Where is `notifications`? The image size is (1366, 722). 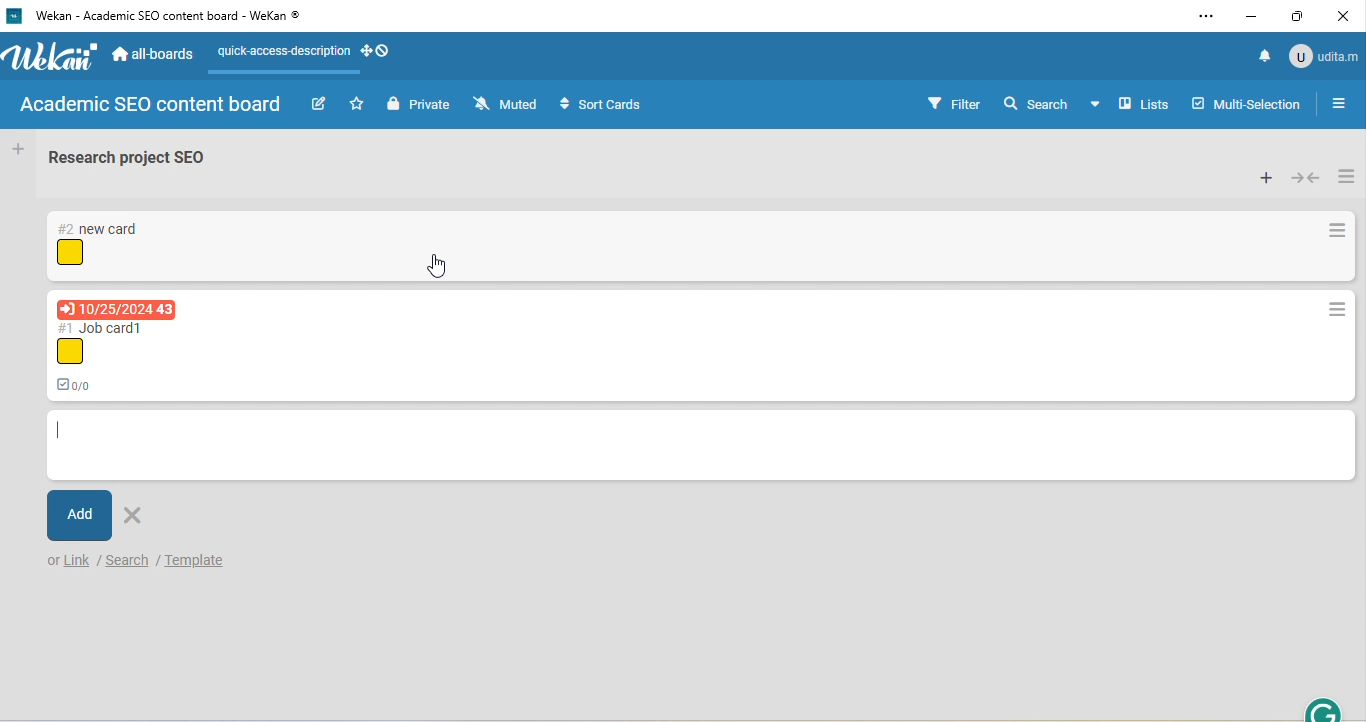 notifications is located at coordinates (1260, 55).